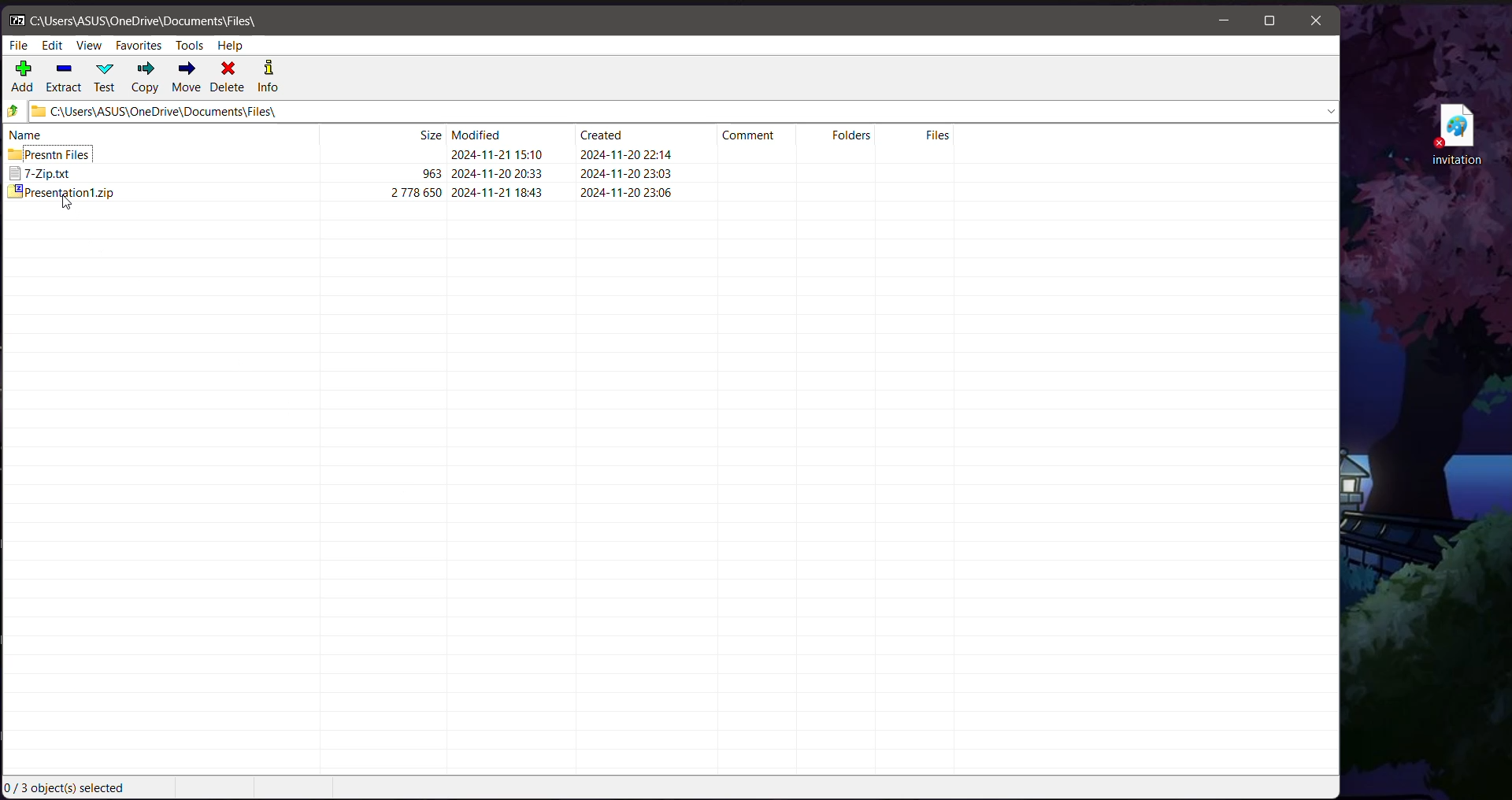 The height and width of the screenshot is (800, 1512). I want to click on Folders, so click(854, 135).